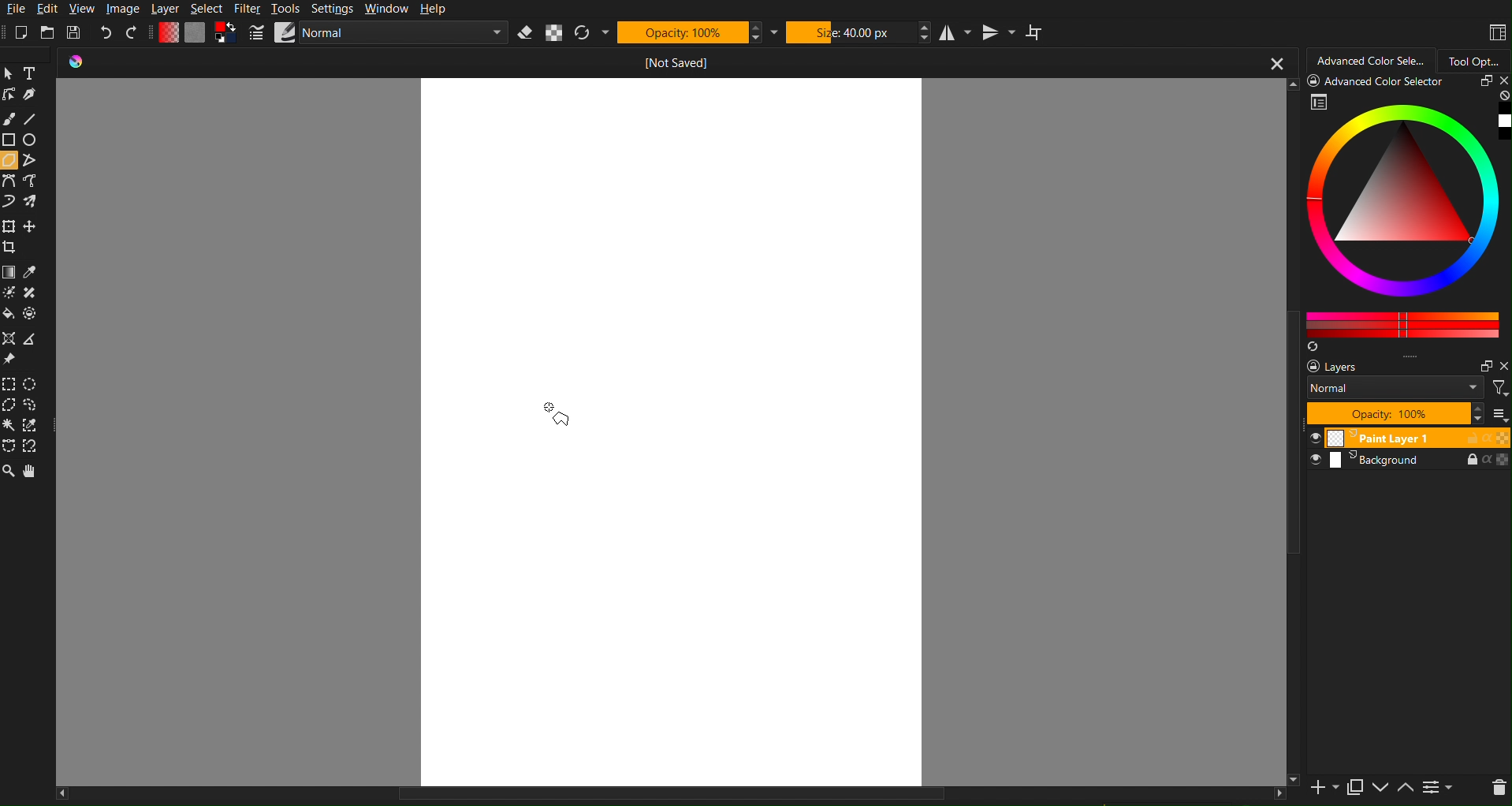 The height and width of the screenshot is (806, 1512). Describe the element at coordinates (525, 33) in the screenshot. I see `Erase` at that location.